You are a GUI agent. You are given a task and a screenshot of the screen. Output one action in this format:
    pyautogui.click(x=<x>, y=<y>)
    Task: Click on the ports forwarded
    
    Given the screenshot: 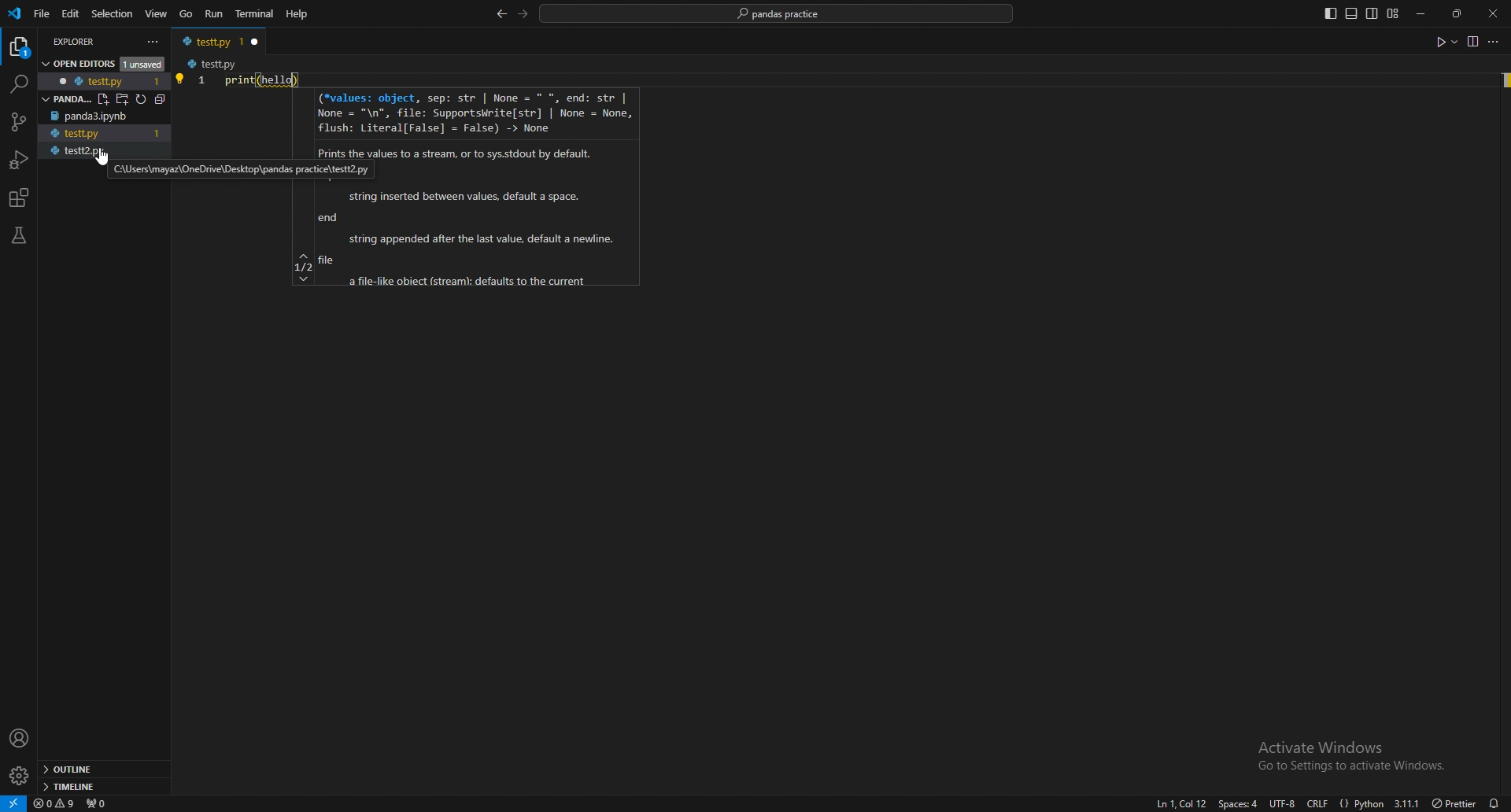 What is the action you would take?
    pyautogui.click(x=95, y=802)
    